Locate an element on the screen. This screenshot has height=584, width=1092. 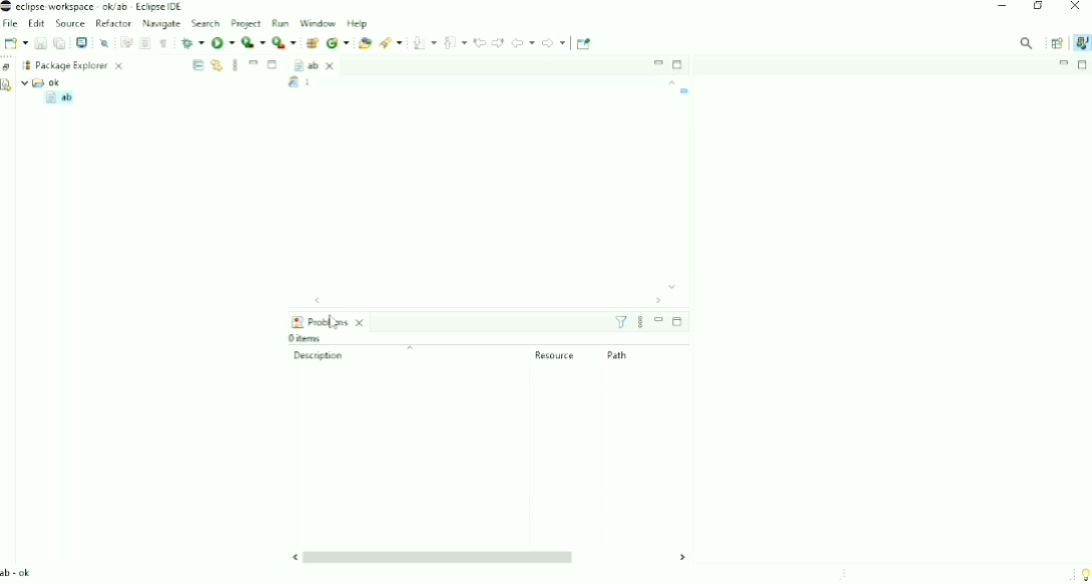
Maximize is located at coordinates (1083, 65).